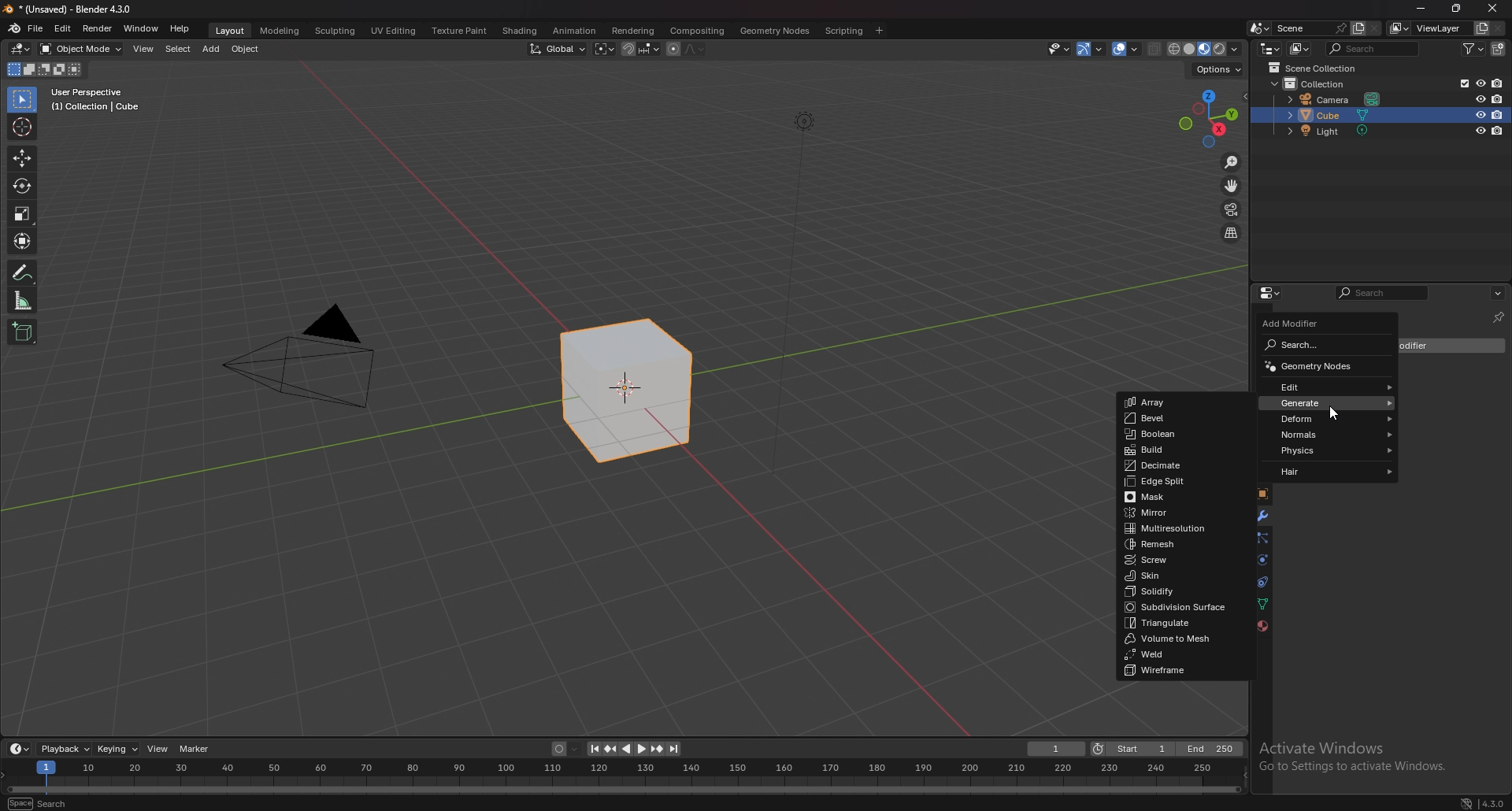  I want to click on toggle xray, so click(1156, 49).